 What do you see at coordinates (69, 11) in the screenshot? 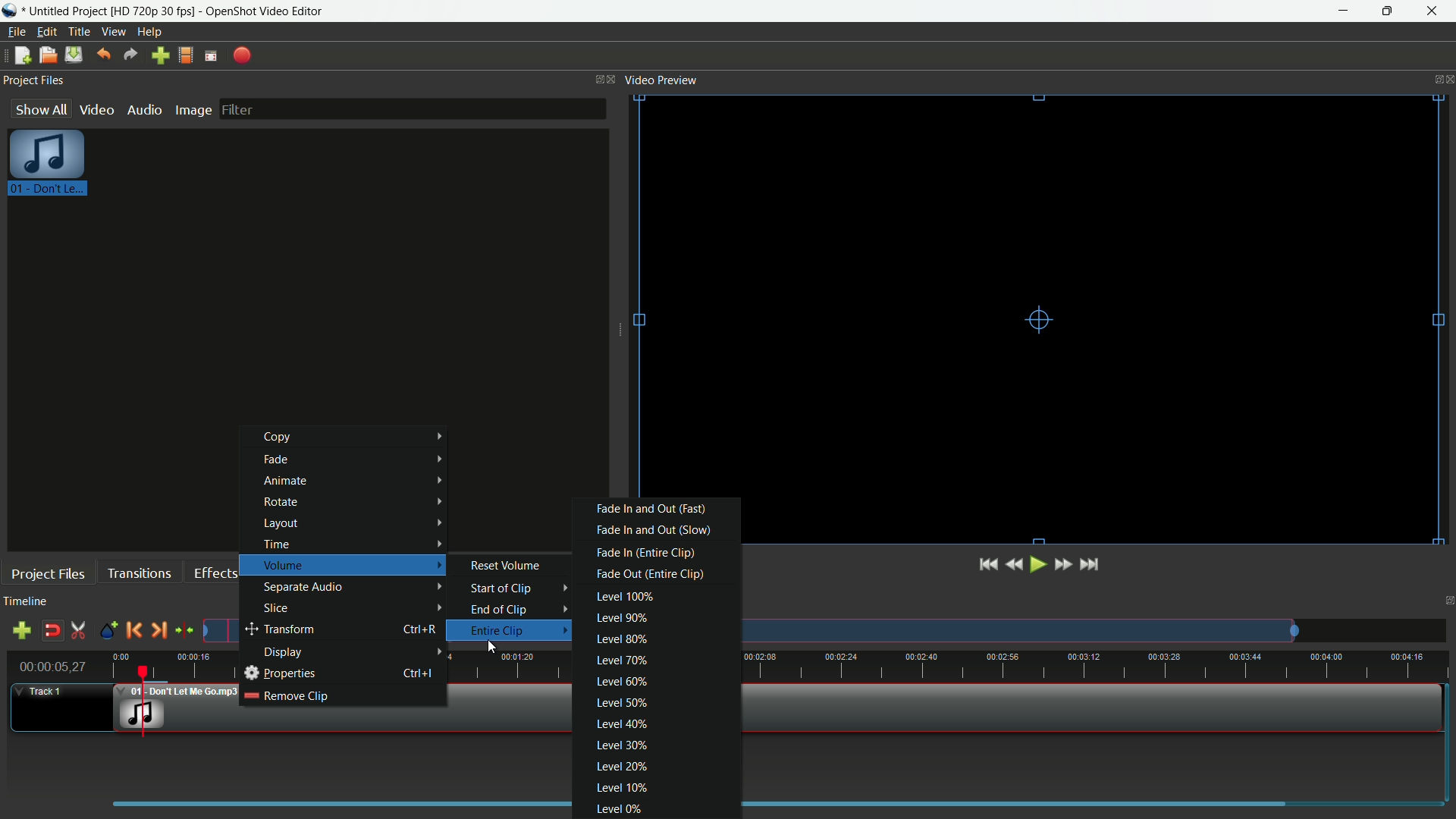
I see `project name` at bounding box center [69, 11].